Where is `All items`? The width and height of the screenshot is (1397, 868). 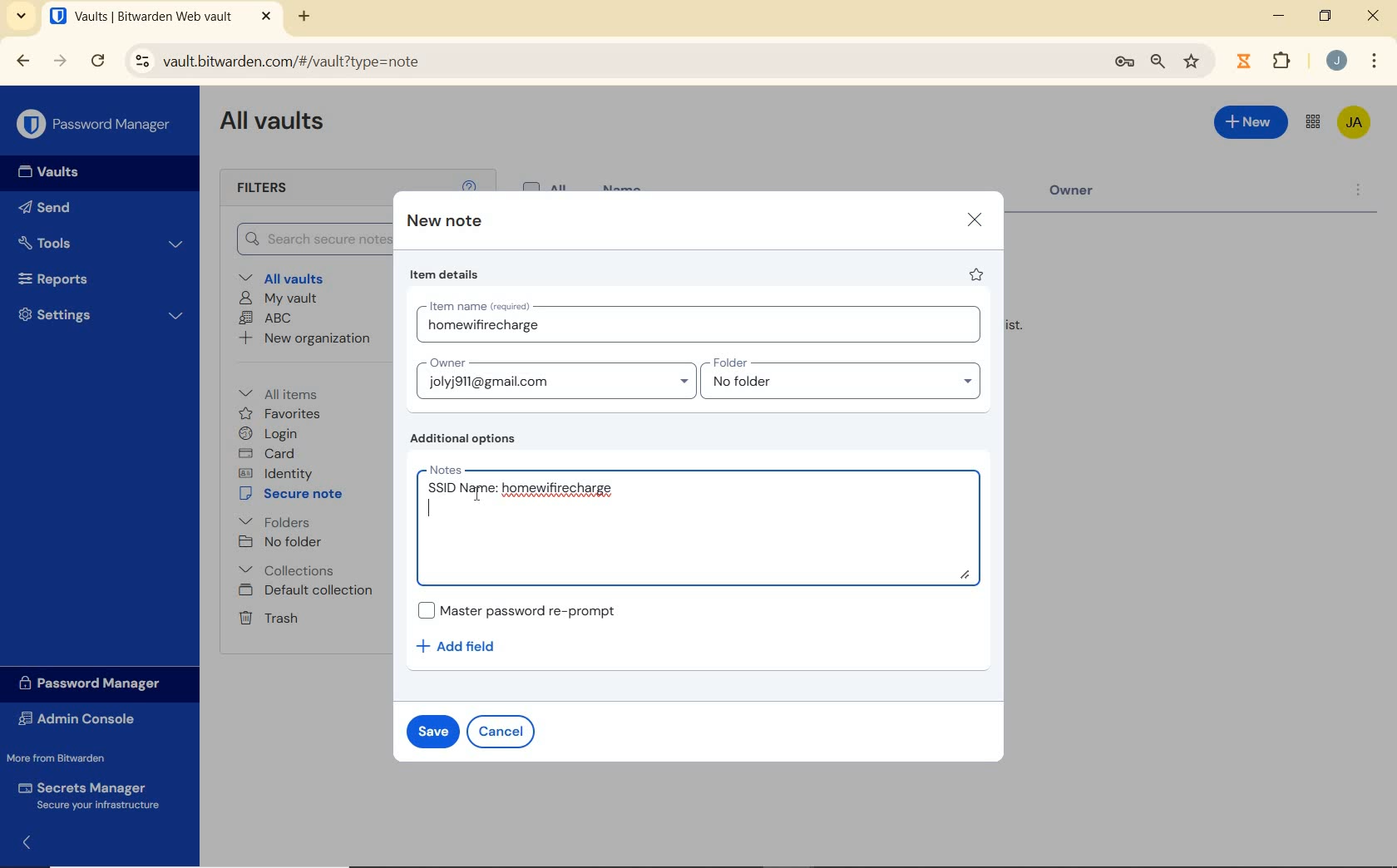 All items is located at coordinates (290, 392).